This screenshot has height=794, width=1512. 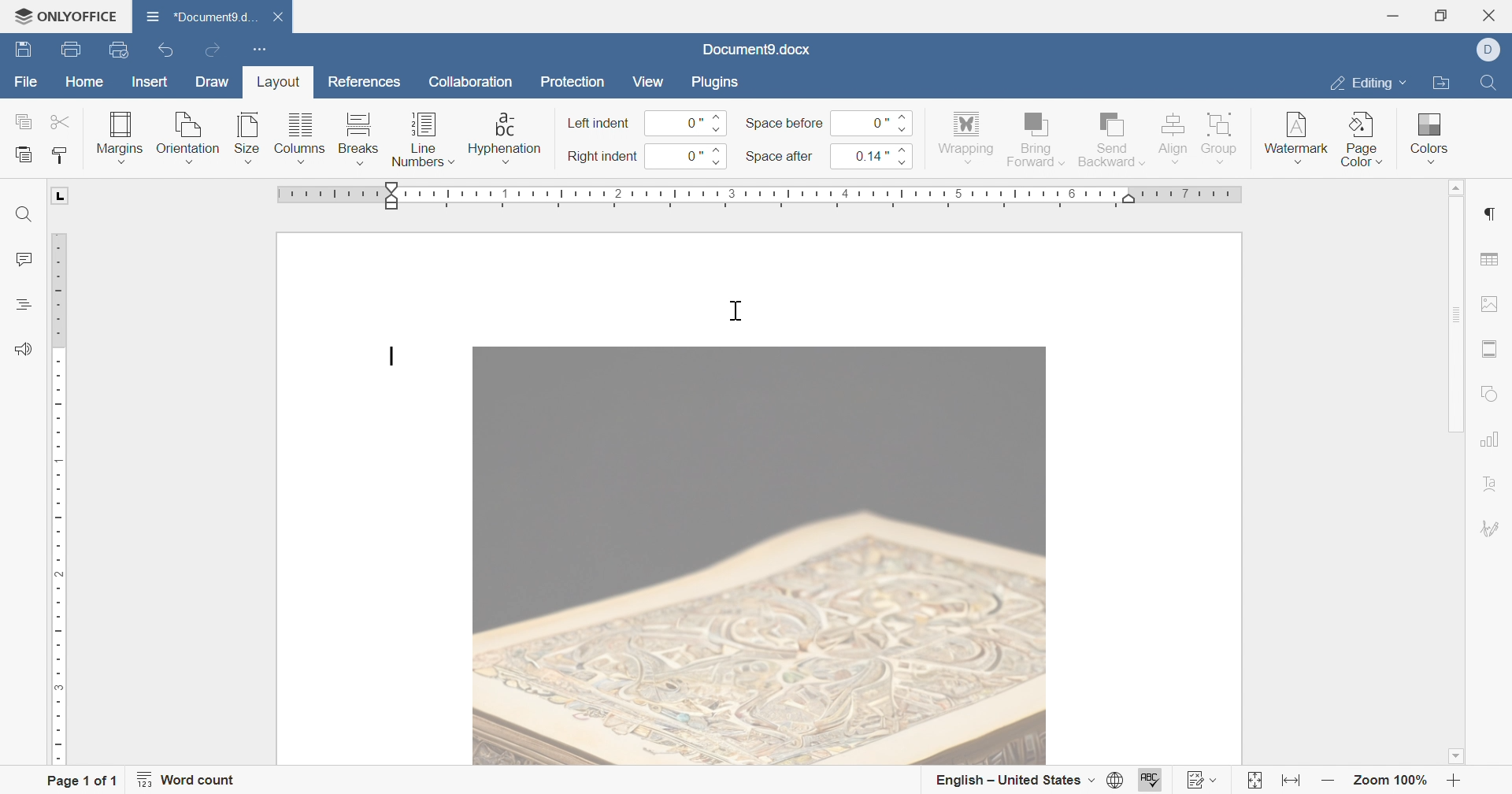 I want to click on wrapping, so click(x=965, y=139).